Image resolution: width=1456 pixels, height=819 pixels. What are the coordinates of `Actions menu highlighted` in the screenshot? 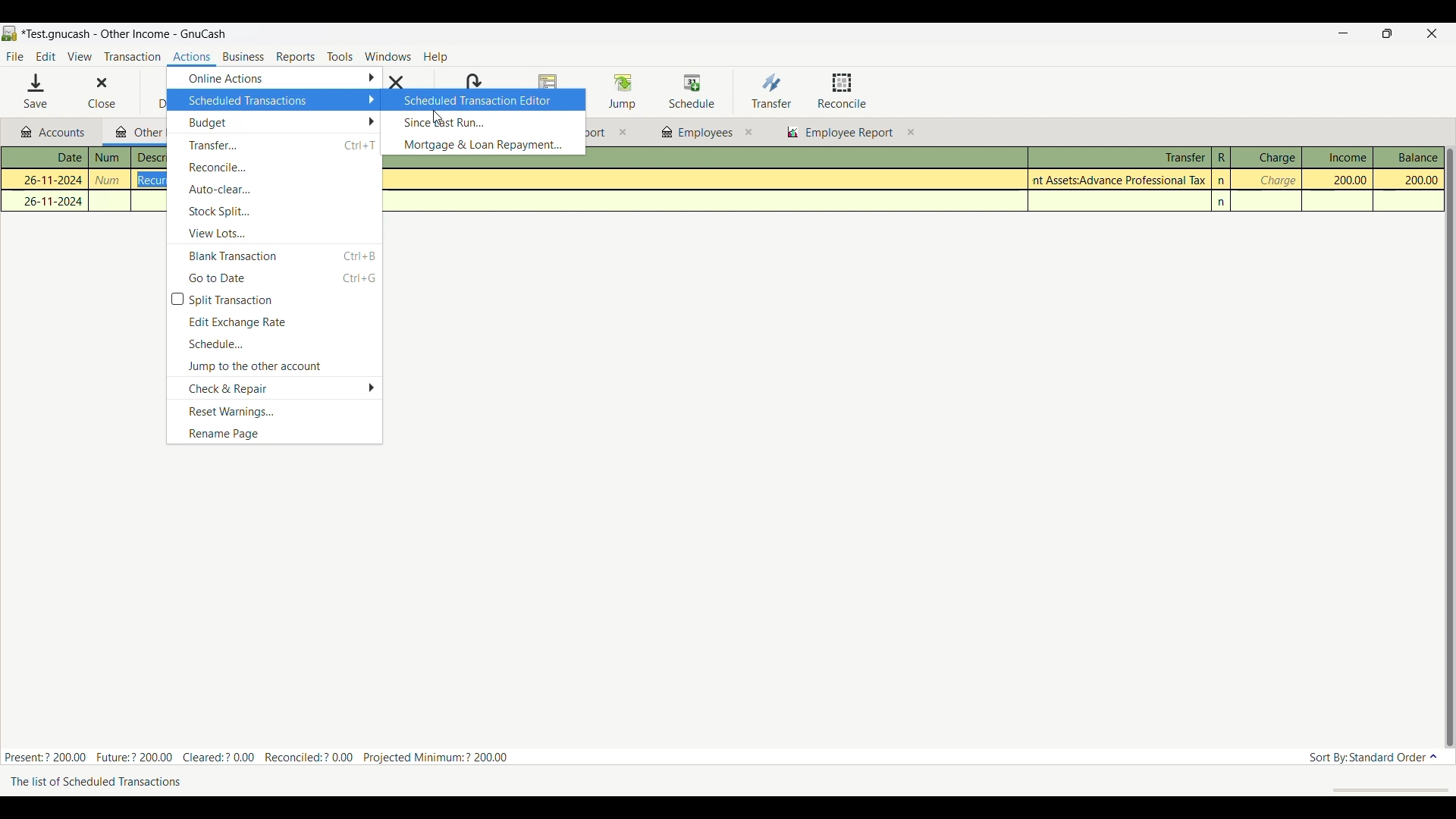 It's located at (192, 58).